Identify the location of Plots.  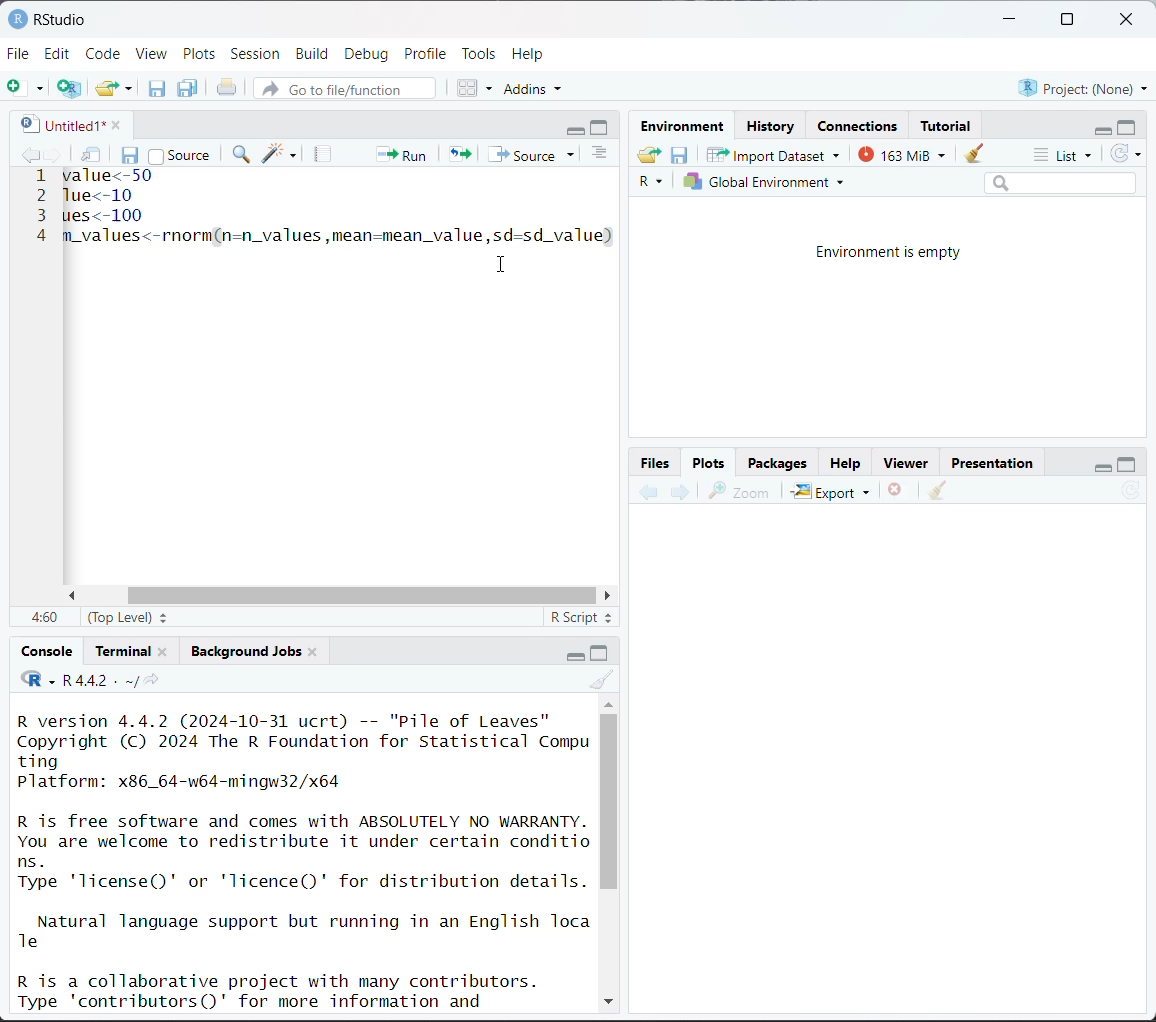
(200, 53).